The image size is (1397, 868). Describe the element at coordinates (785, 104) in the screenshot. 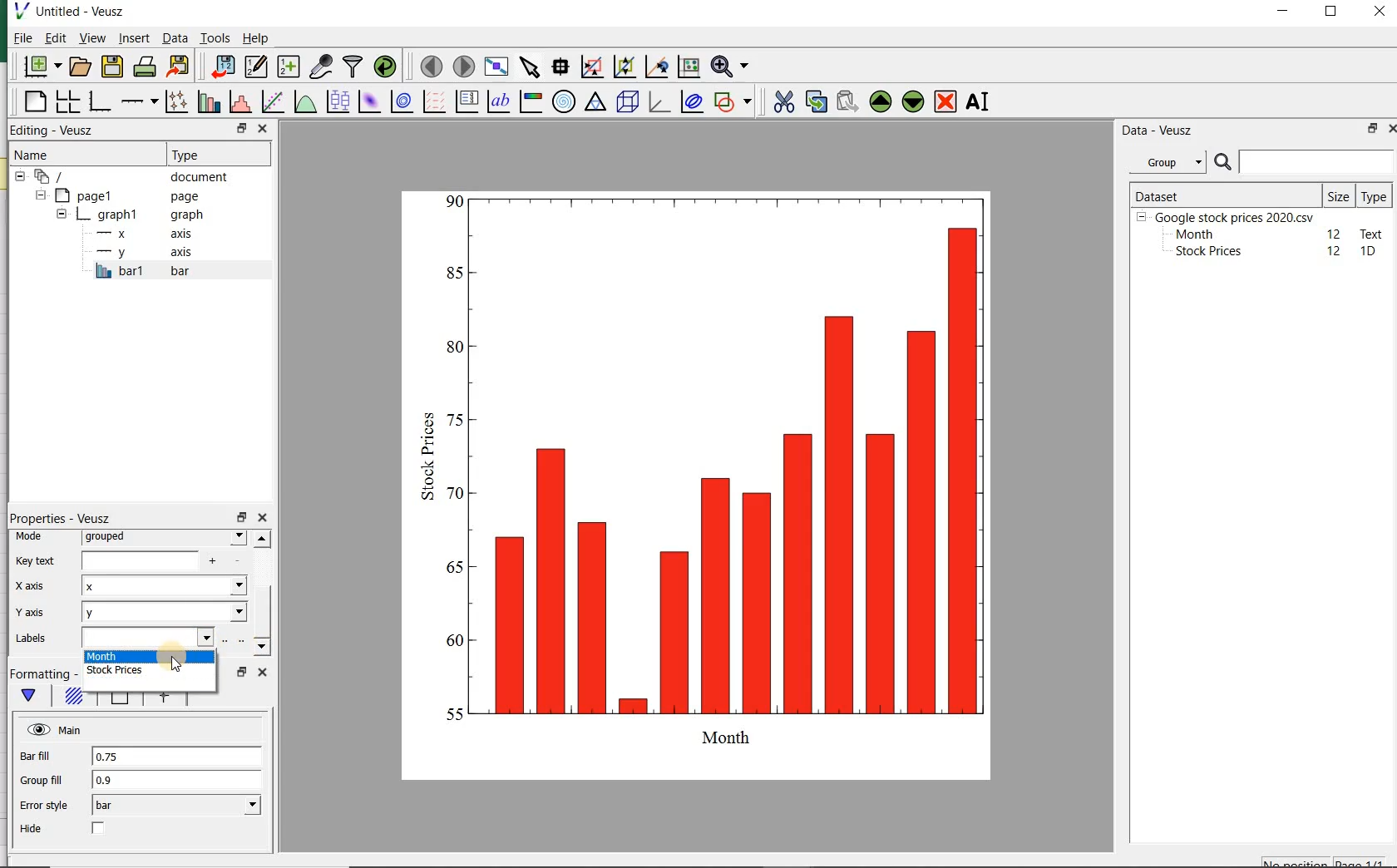

I see `cut the selected widget` at that location.